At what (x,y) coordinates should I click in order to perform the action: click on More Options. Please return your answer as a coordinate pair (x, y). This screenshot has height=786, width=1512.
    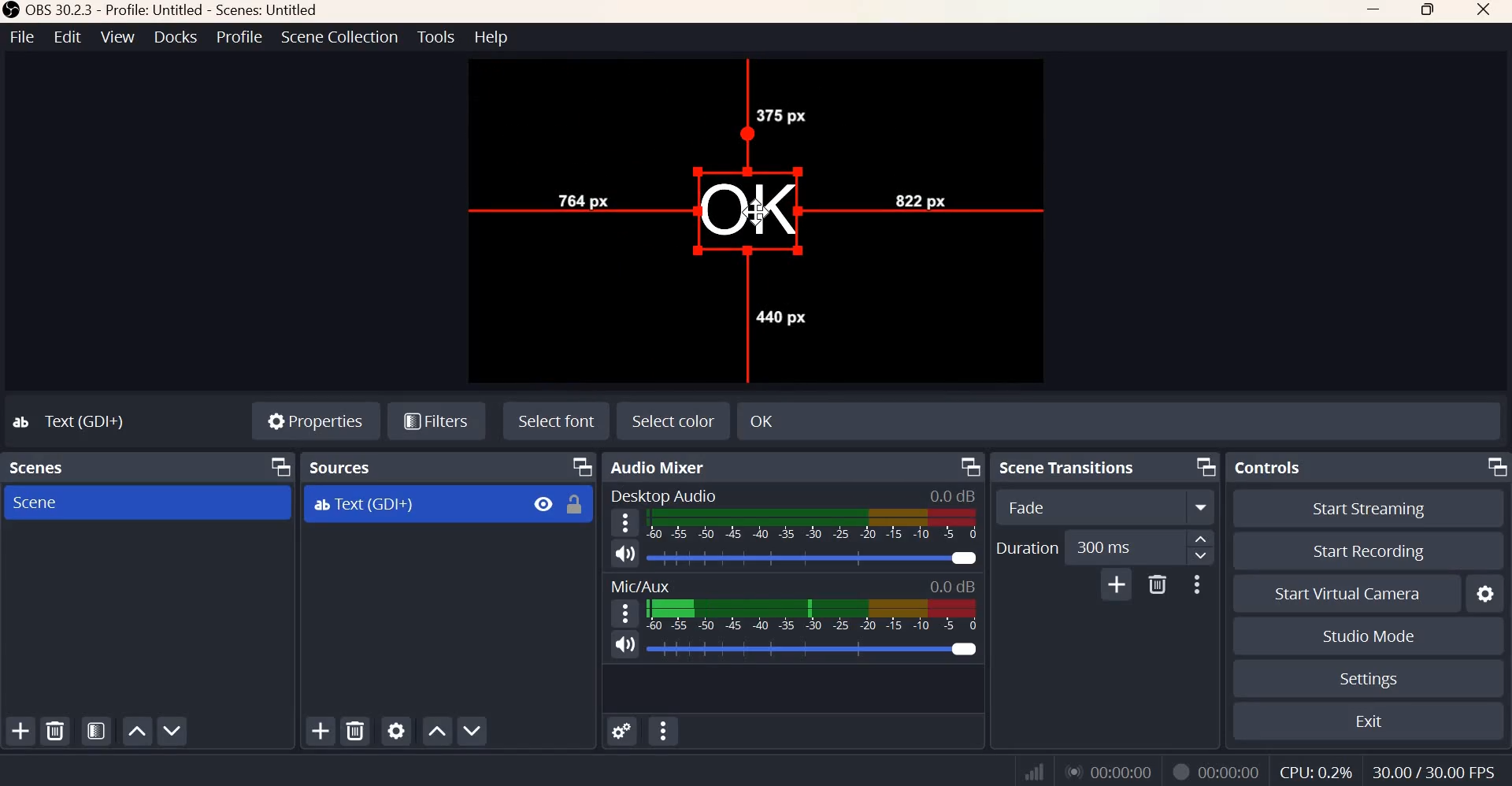
    Looking at the image, I should click on (1195, 585).